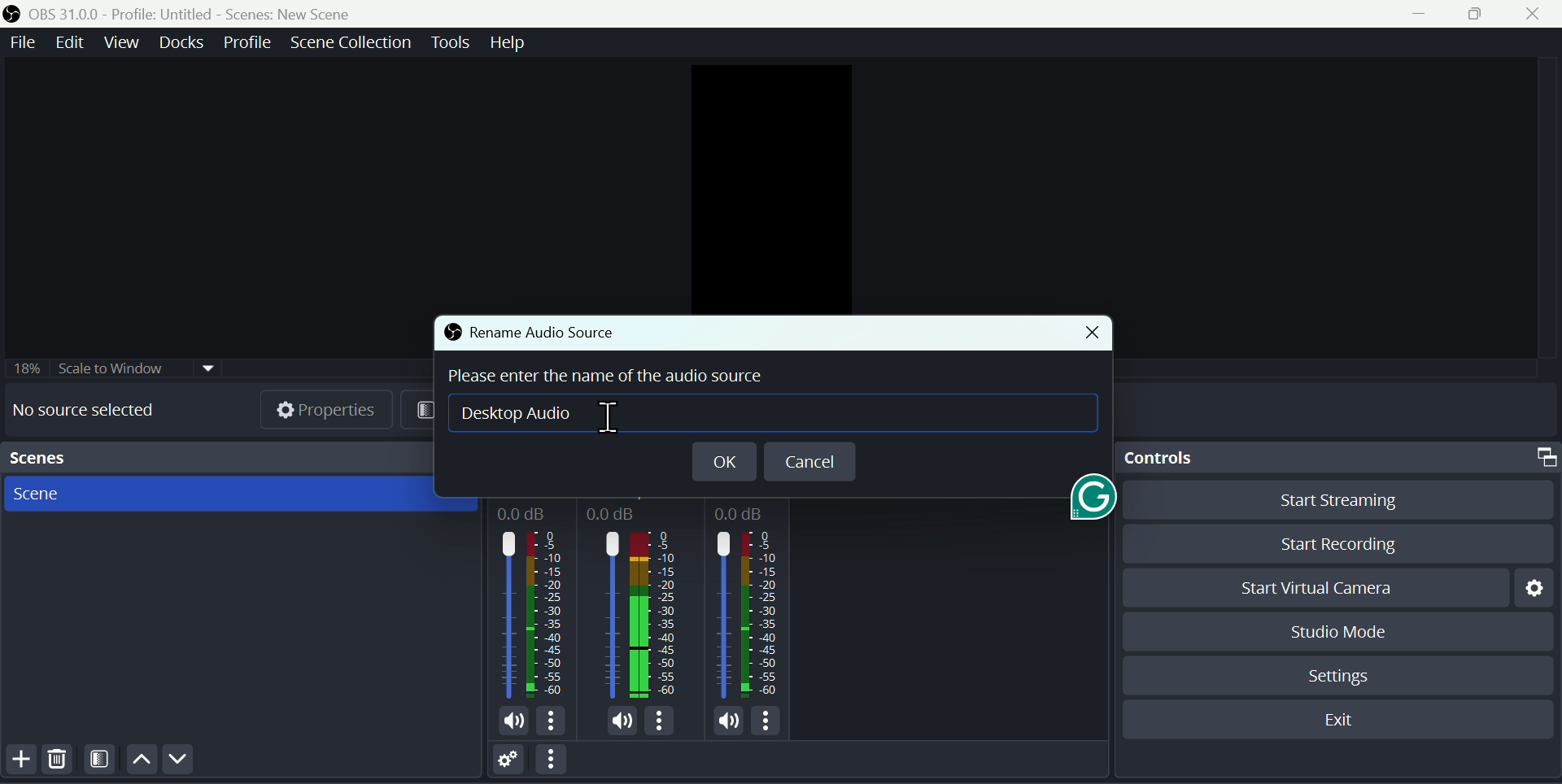  Describe the element at coordinates (351, 44) in the screenshot. I see `Scene collection` at that location.